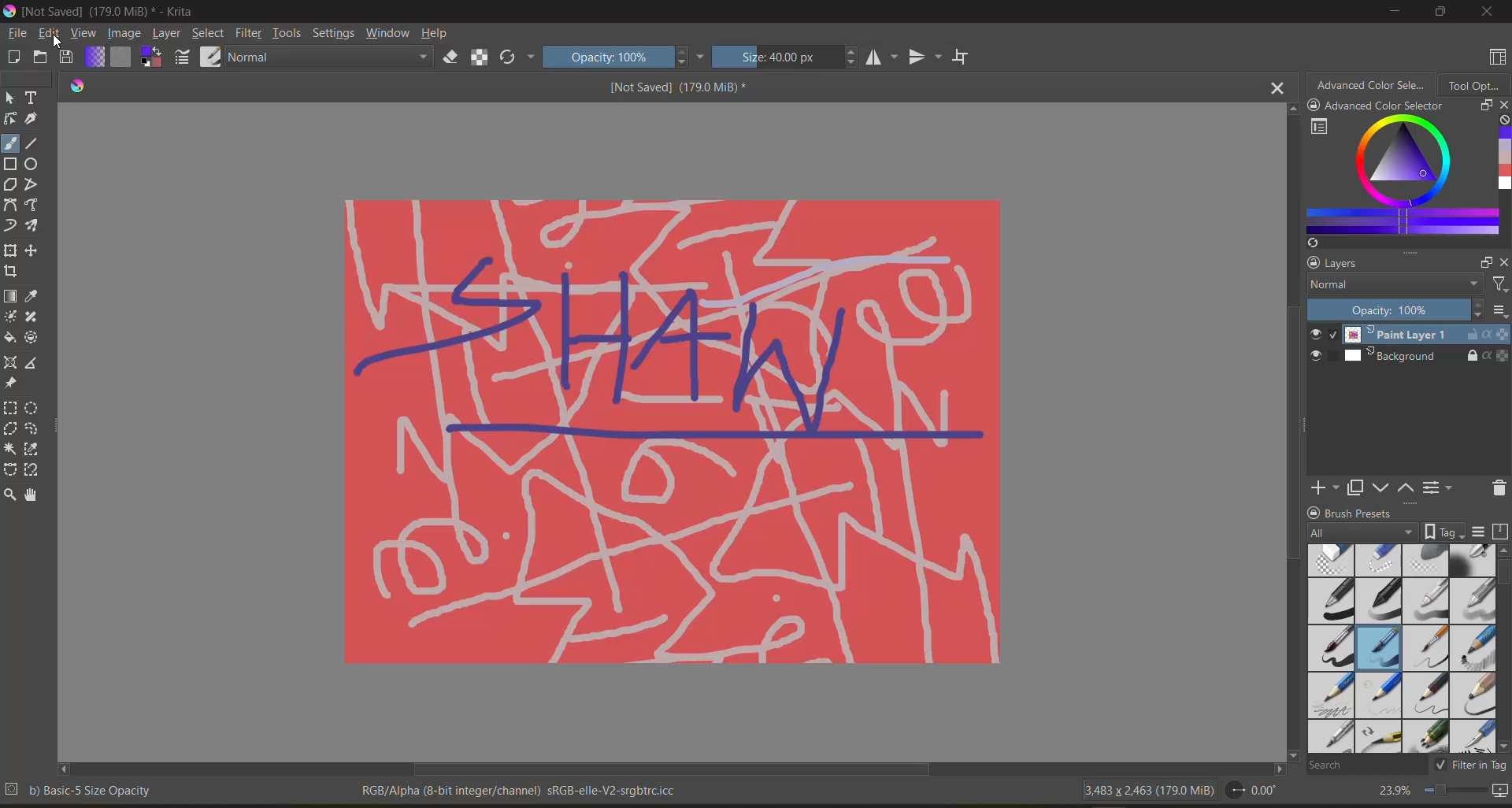  What do you see at coordinates (483, 59) in the screenshot?
I see `preserve alpha` at bounding box center [483, 59].